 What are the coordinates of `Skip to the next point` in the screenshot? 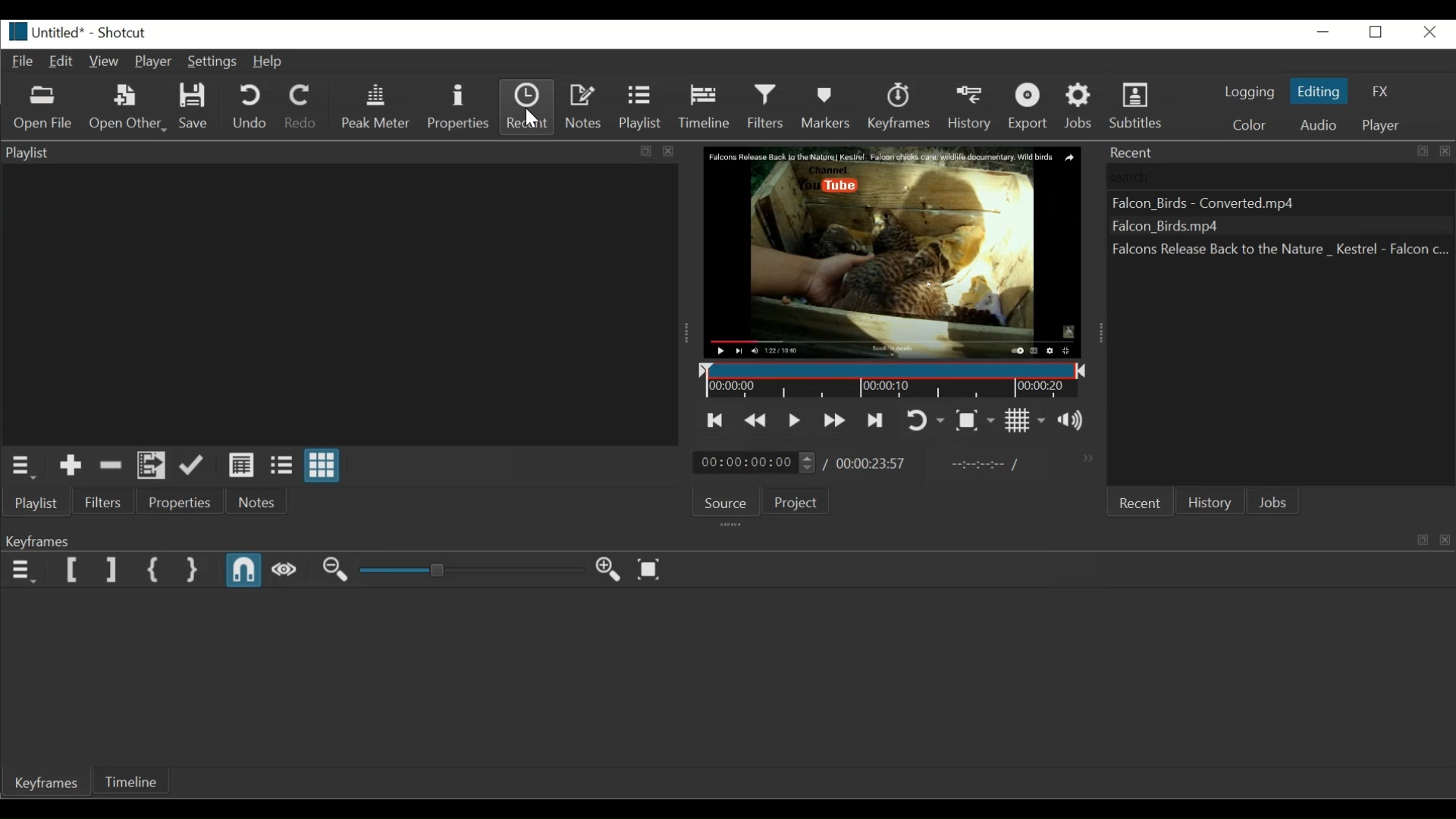 It's located at (873, 421).